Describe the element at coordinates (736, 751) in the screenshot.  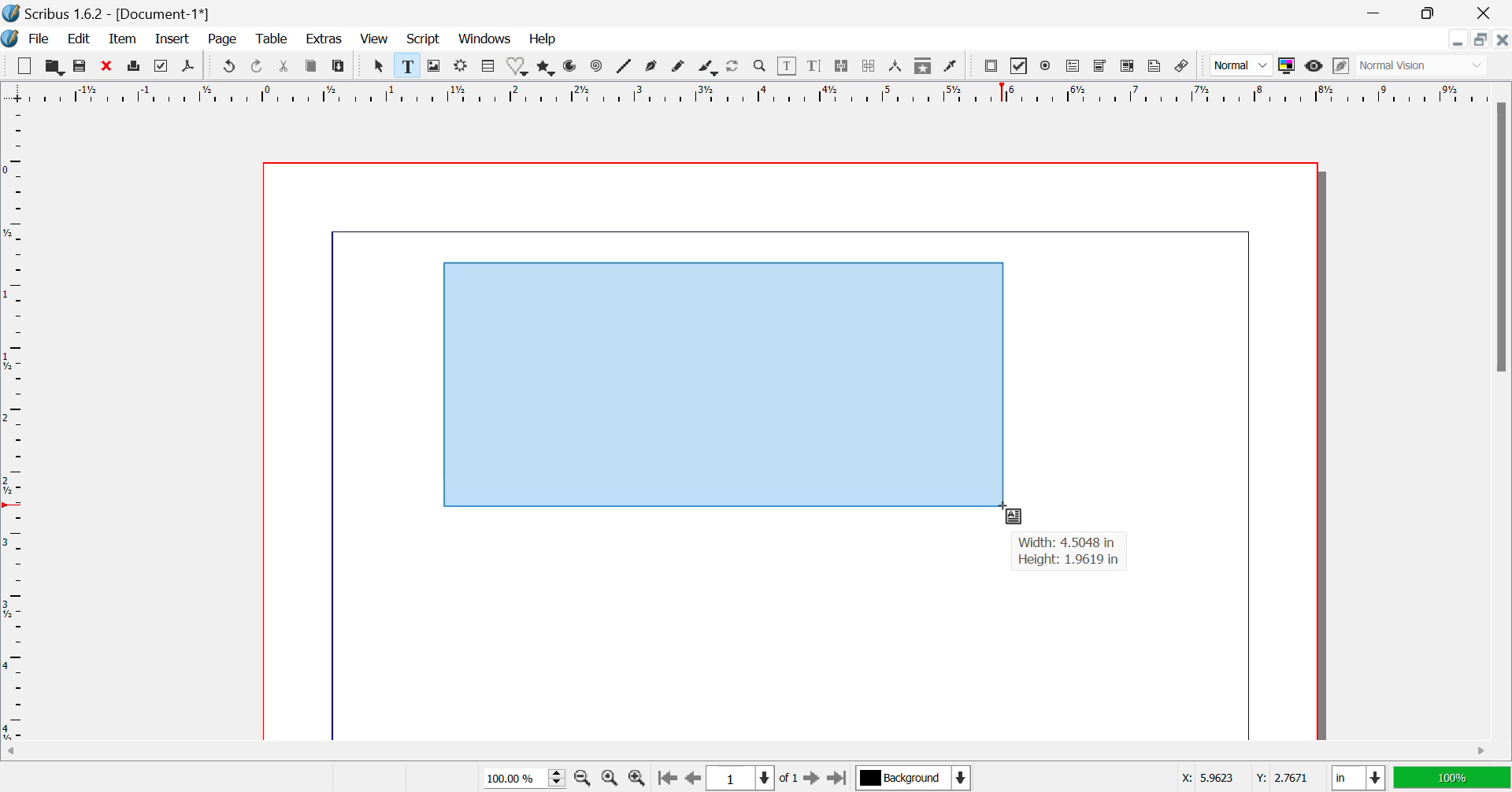
I see `Horizontal Scroll Bar` at that location.